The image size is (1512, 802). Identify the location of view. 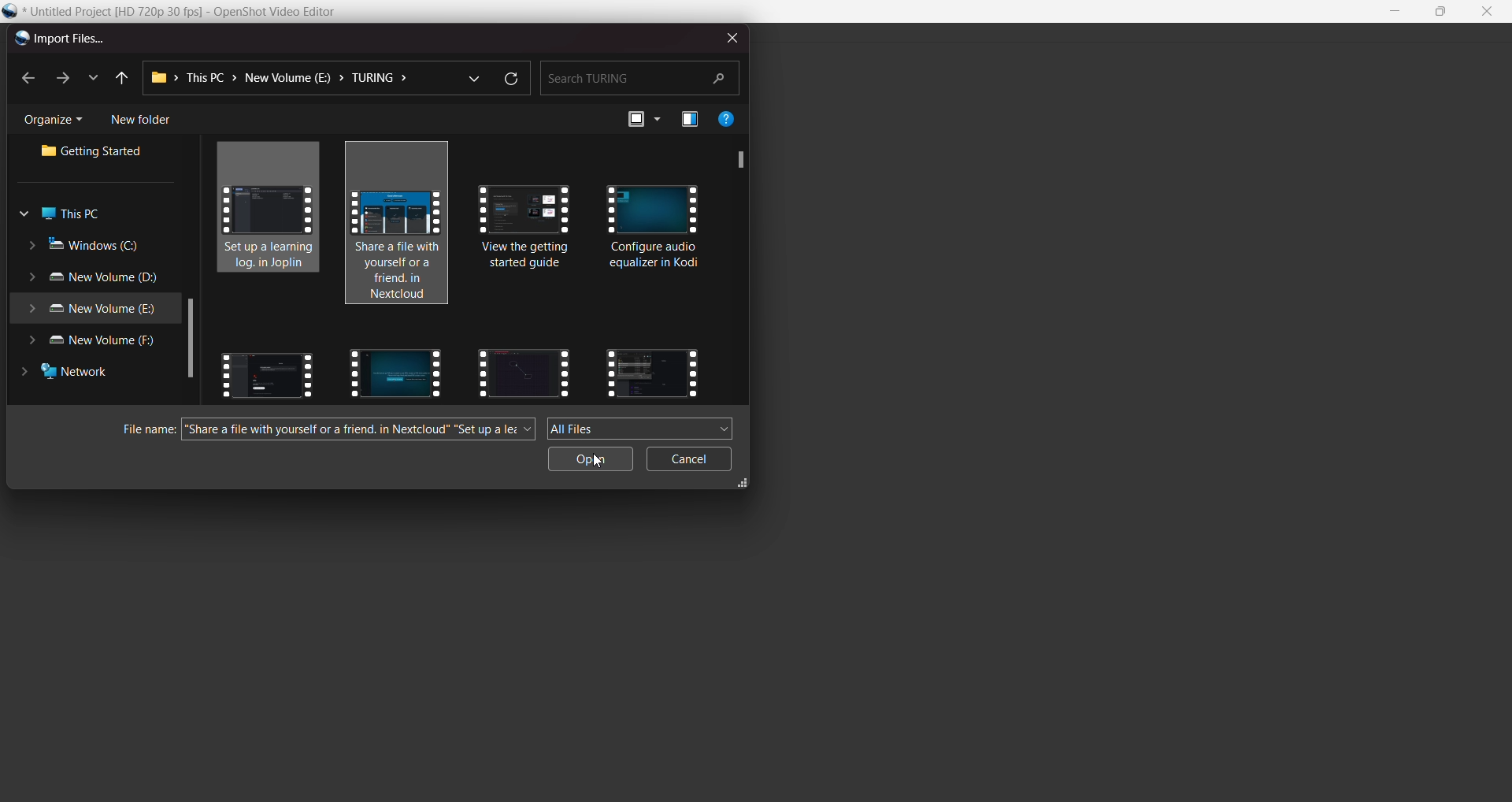
(643, 119).